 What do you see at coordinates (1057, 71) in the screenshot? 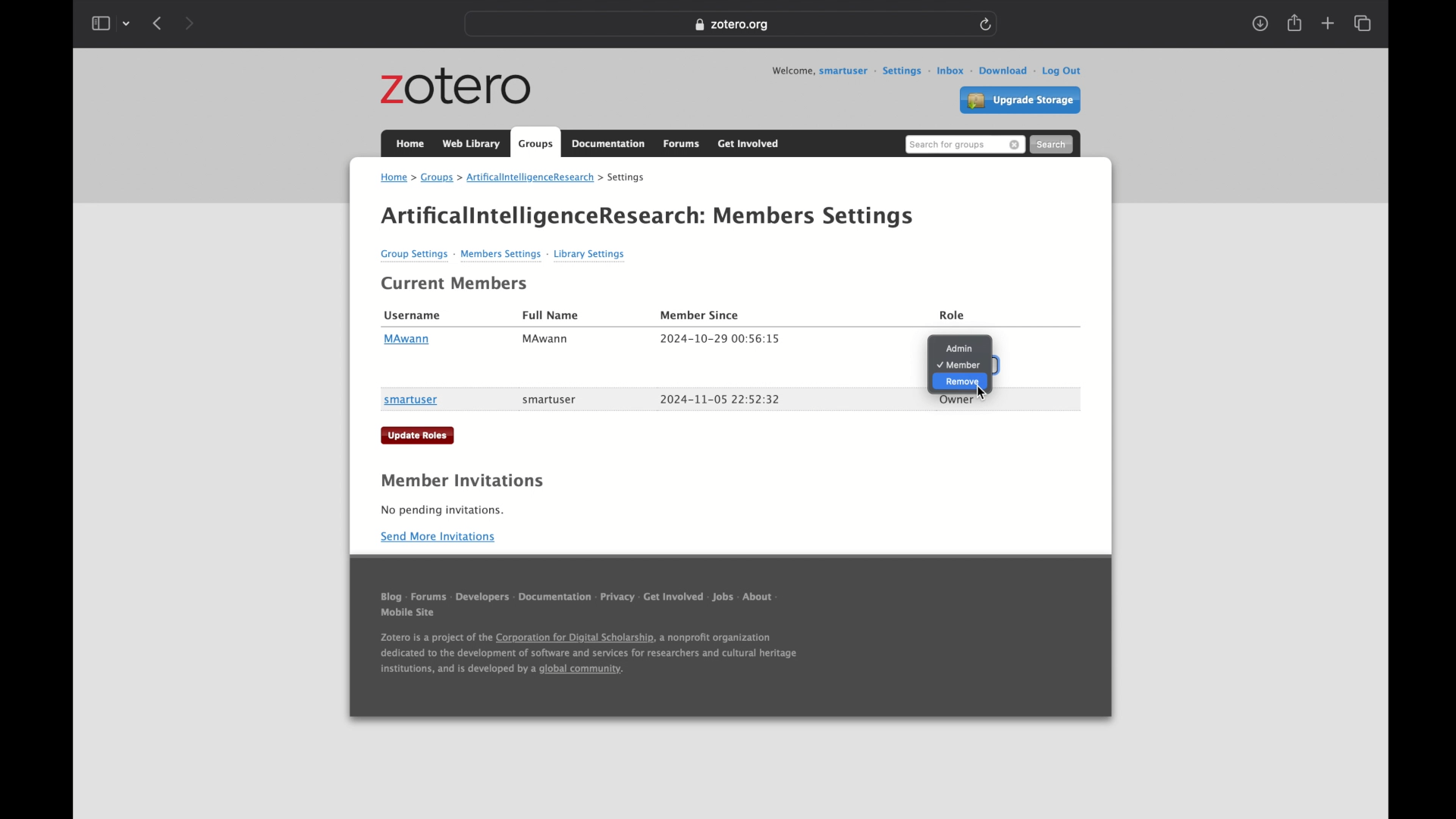
I see `log out` at bounding box center [1057, 71].